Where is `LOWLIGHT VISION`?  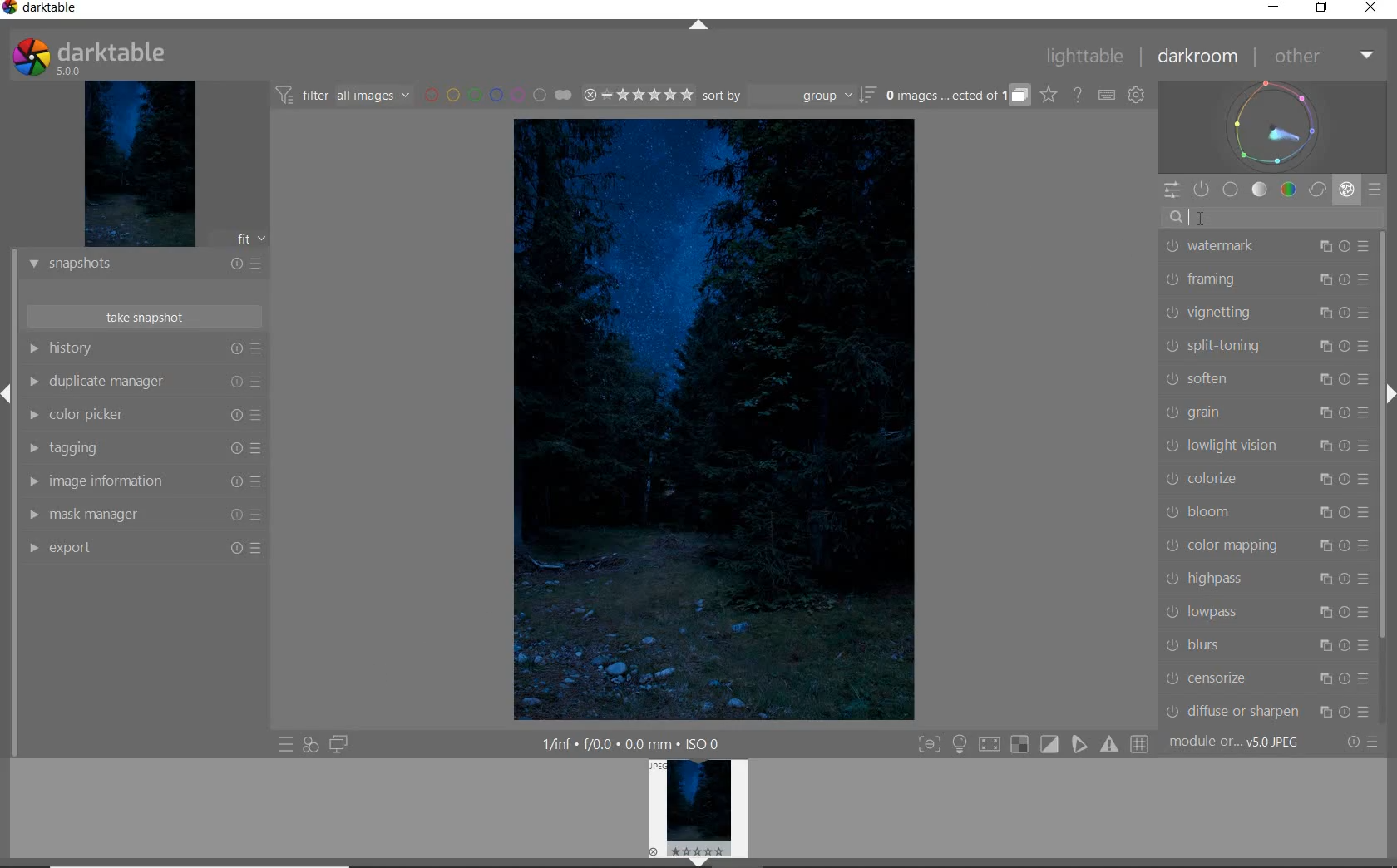 LOWLIGHT VISION is located at coordinates (1265, 446).